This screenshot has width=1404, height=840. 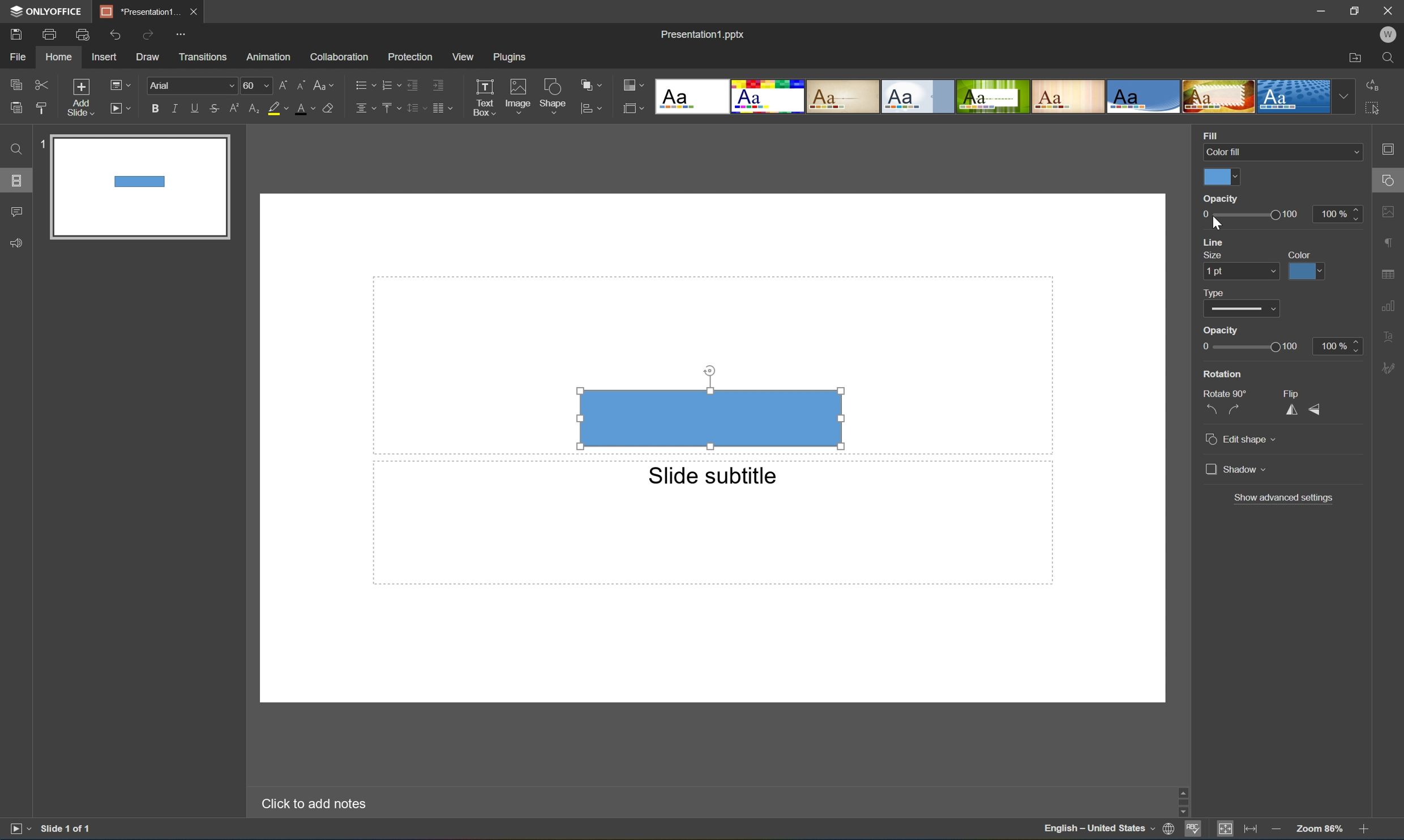 What do you see at coordinates (1236, 469) in the screenshot?
I see `Shadow` at bounding box center [1236, 469].